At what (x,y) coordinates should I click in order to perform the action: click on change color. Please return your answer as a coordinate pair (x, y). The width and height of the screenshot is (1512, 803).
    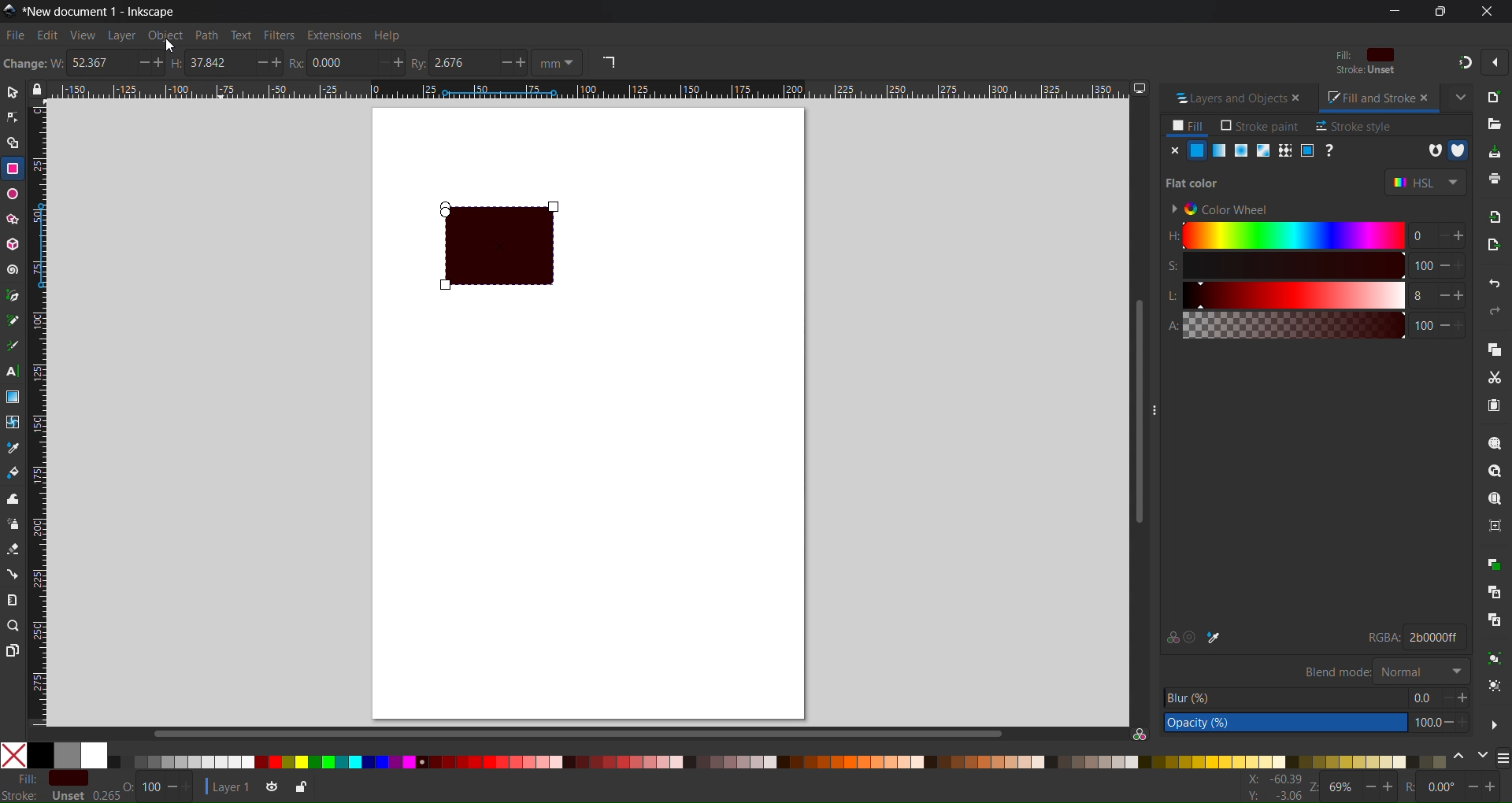
    Looking at the image, I should click on (1481, 758).